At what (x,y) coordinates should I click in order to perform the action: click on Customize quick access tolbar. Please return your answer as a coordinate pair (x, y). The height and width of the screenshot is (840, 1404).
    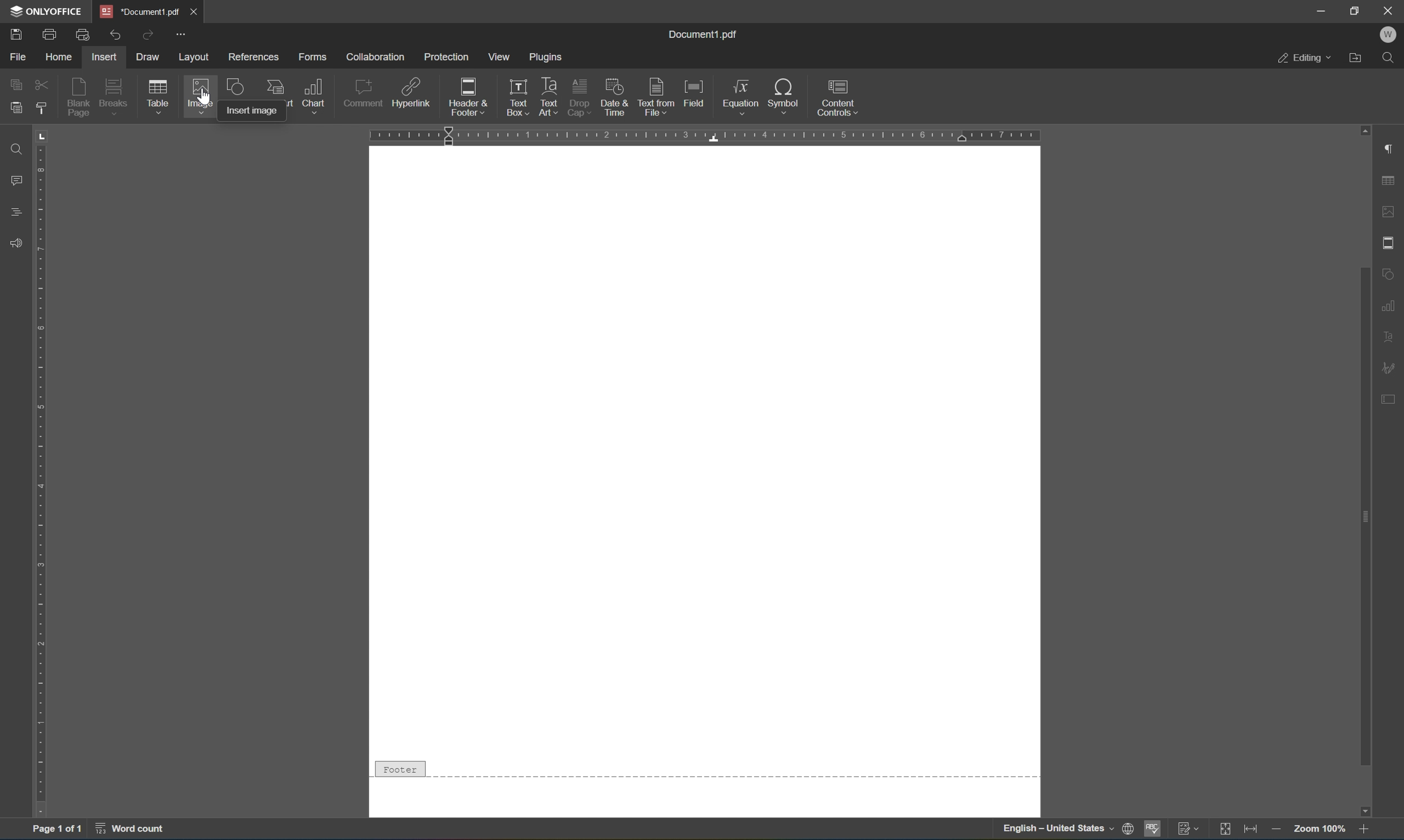
    Looking at the image, I should click on (182, 36).